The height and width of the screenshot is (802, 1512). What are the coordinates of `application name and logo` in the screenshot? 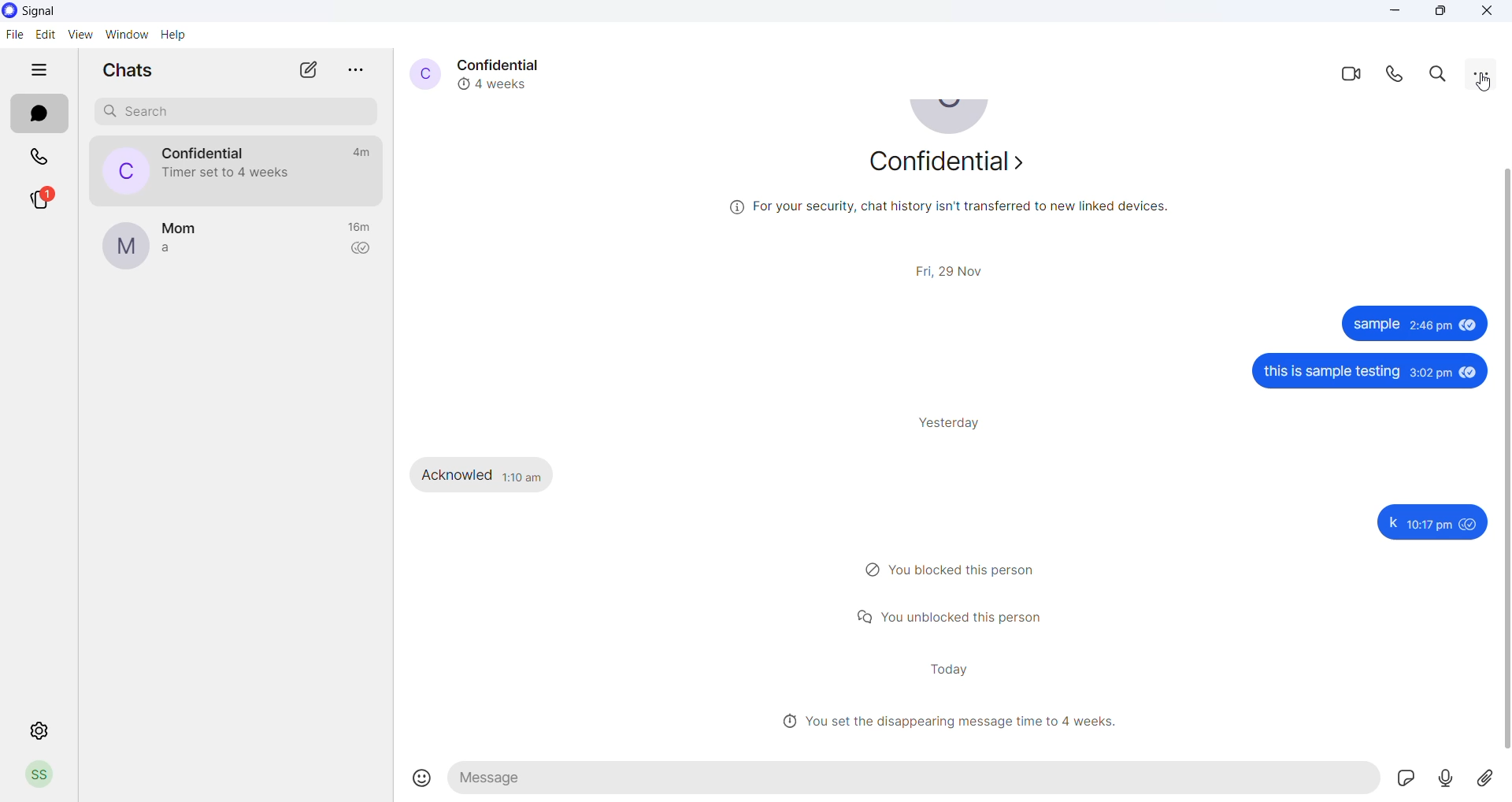 It's located at (40, 13).